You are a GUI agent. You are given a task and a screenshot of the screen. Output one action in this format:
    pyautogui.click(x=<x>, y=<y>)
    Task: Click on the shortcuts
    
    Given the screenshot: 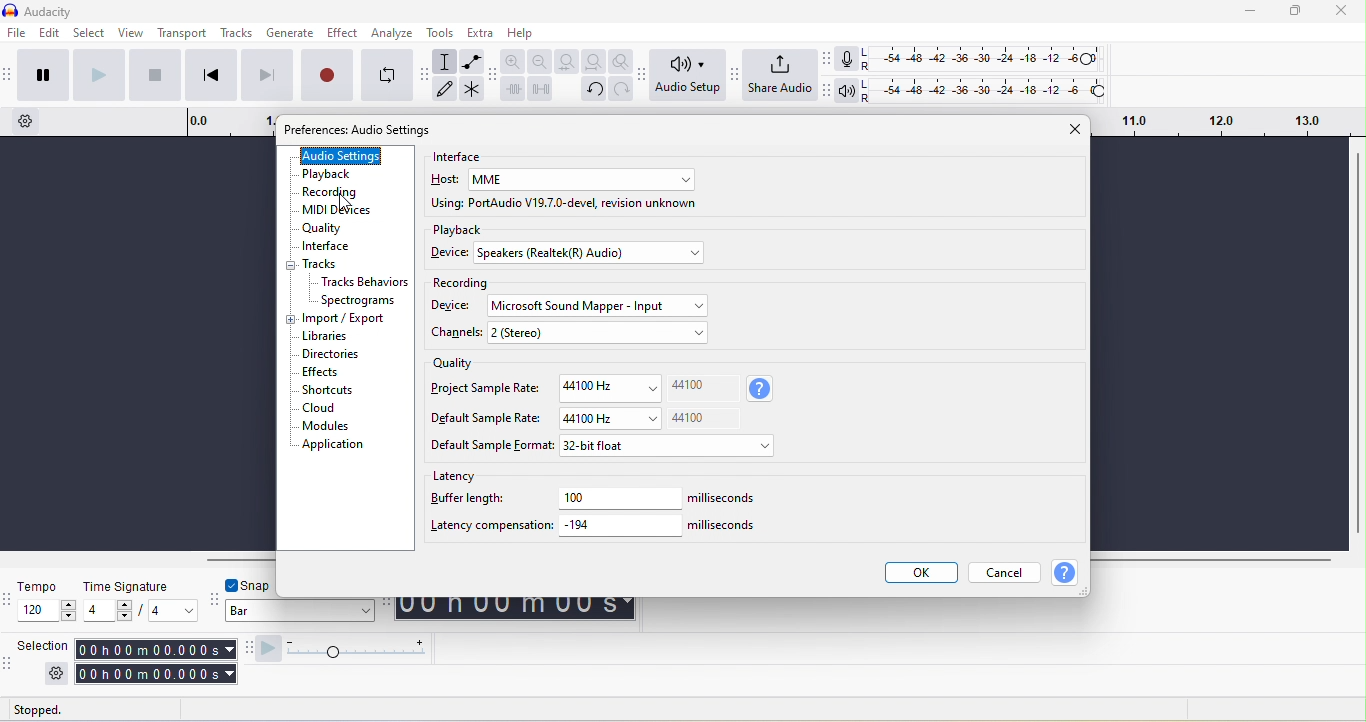 What is the action you would take?
    pyautogui.click(x=328, y=389)
    